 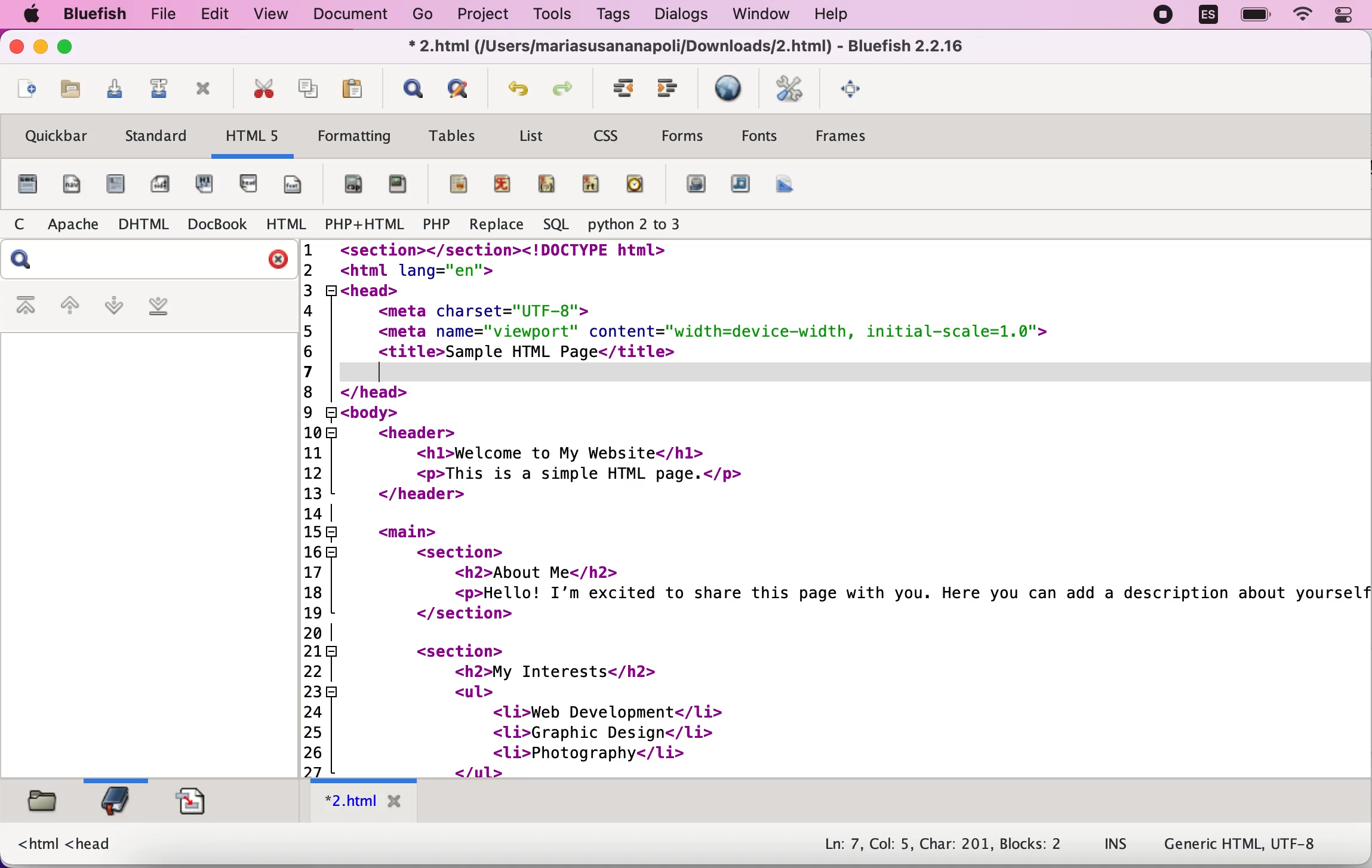 What do you see at coordinates (682, 14) in the screenshot?
I see `dialogs` at bounding box center [682, 14].